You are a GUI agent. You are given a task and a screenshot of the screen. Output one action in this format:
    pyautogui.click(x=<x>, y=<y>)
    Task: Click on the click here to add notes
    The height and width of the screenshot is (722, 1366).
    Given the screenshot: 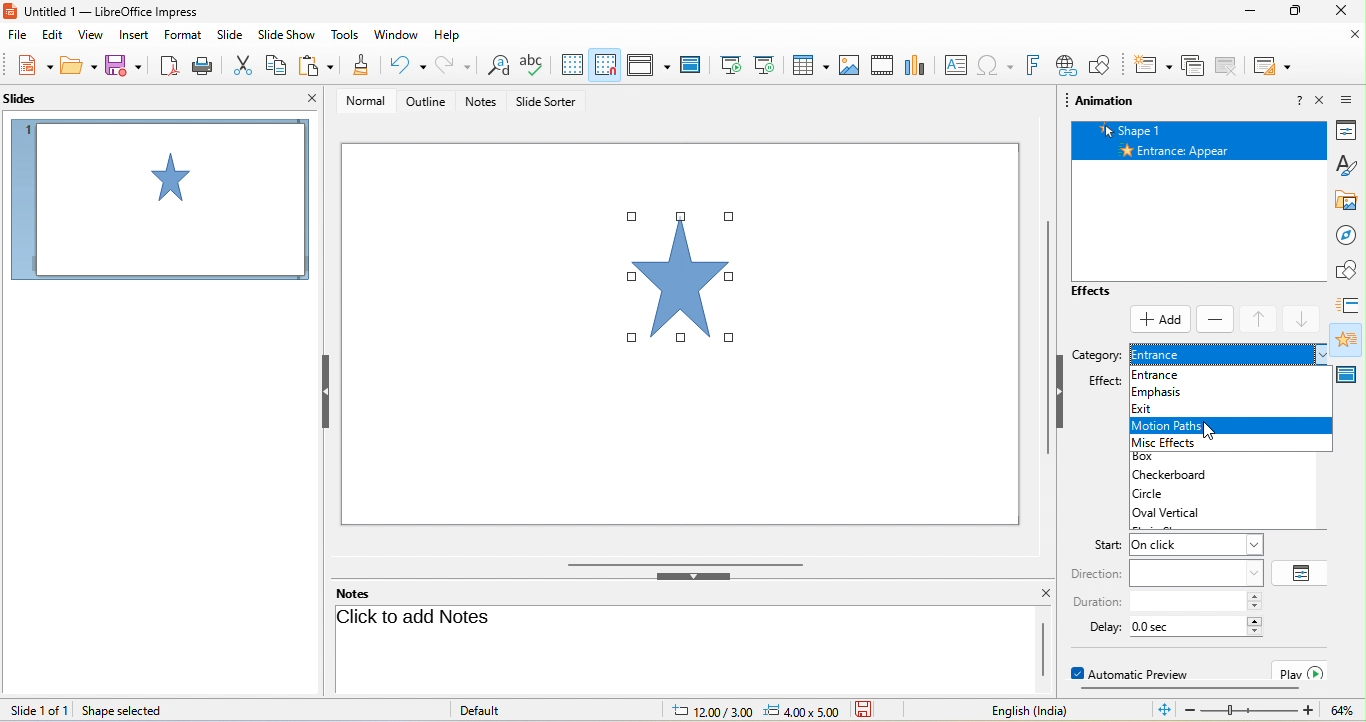 What is the action you would take?
    pyautogui.click(x=680, y=646)
    